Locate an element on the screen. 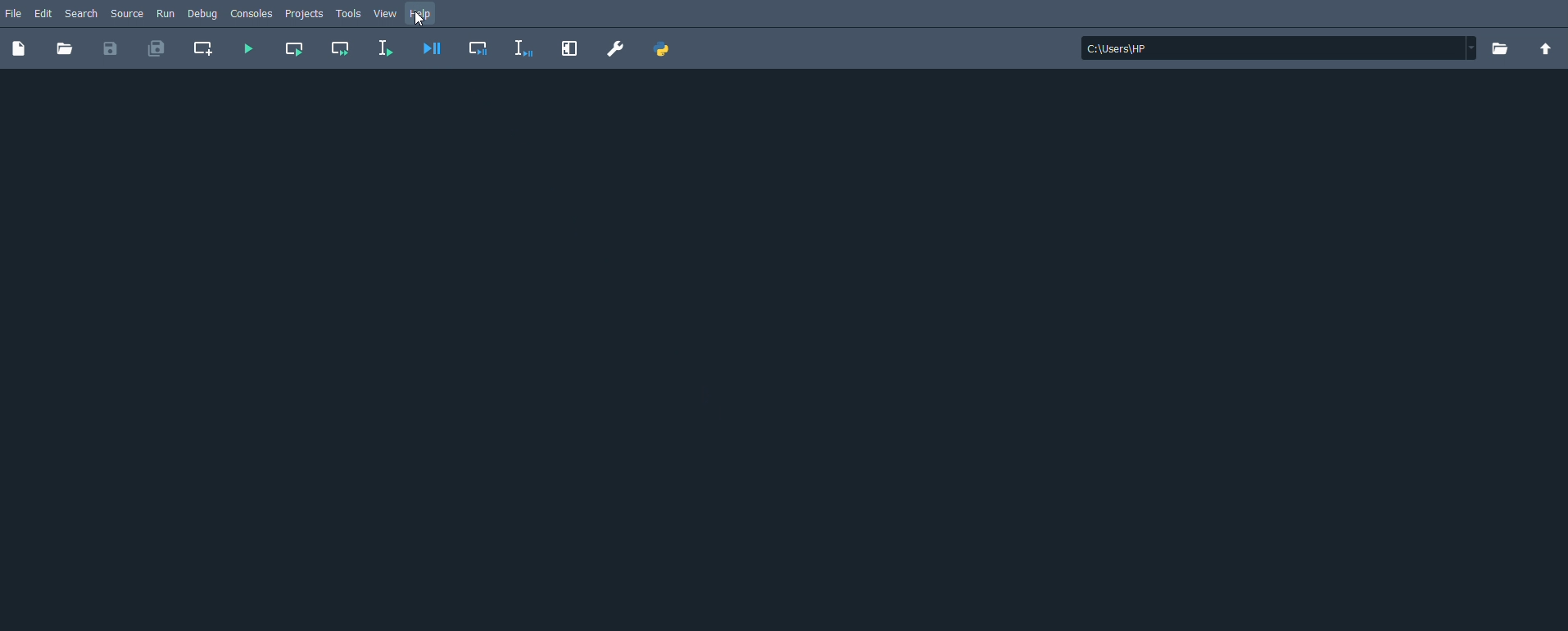  Edit is located at coordinates (47, 12).